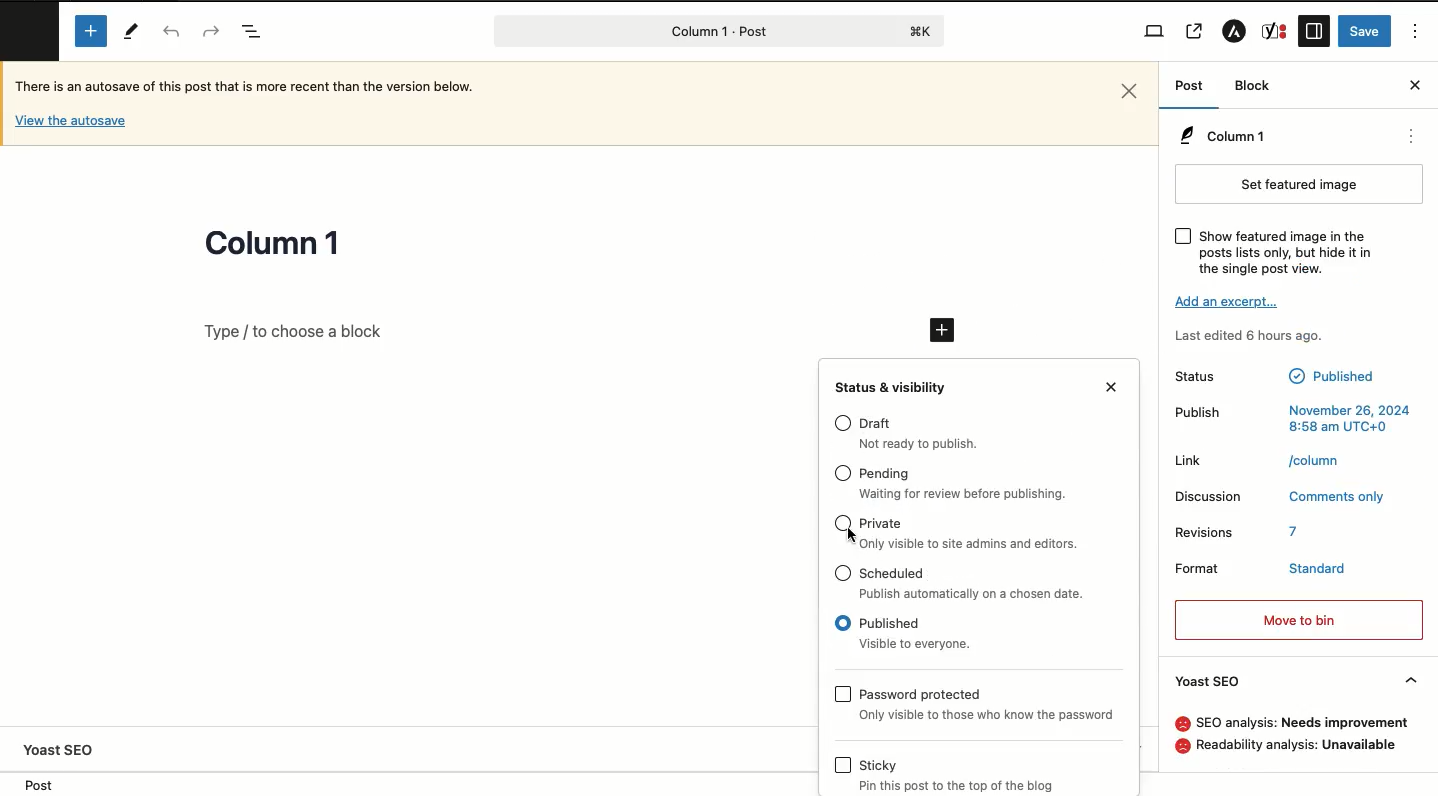 The image size is (1438, 796). What do you see at coordinates (967, 786) in the screenshot?
I see `Sticky` at bounding box center [967, 786].